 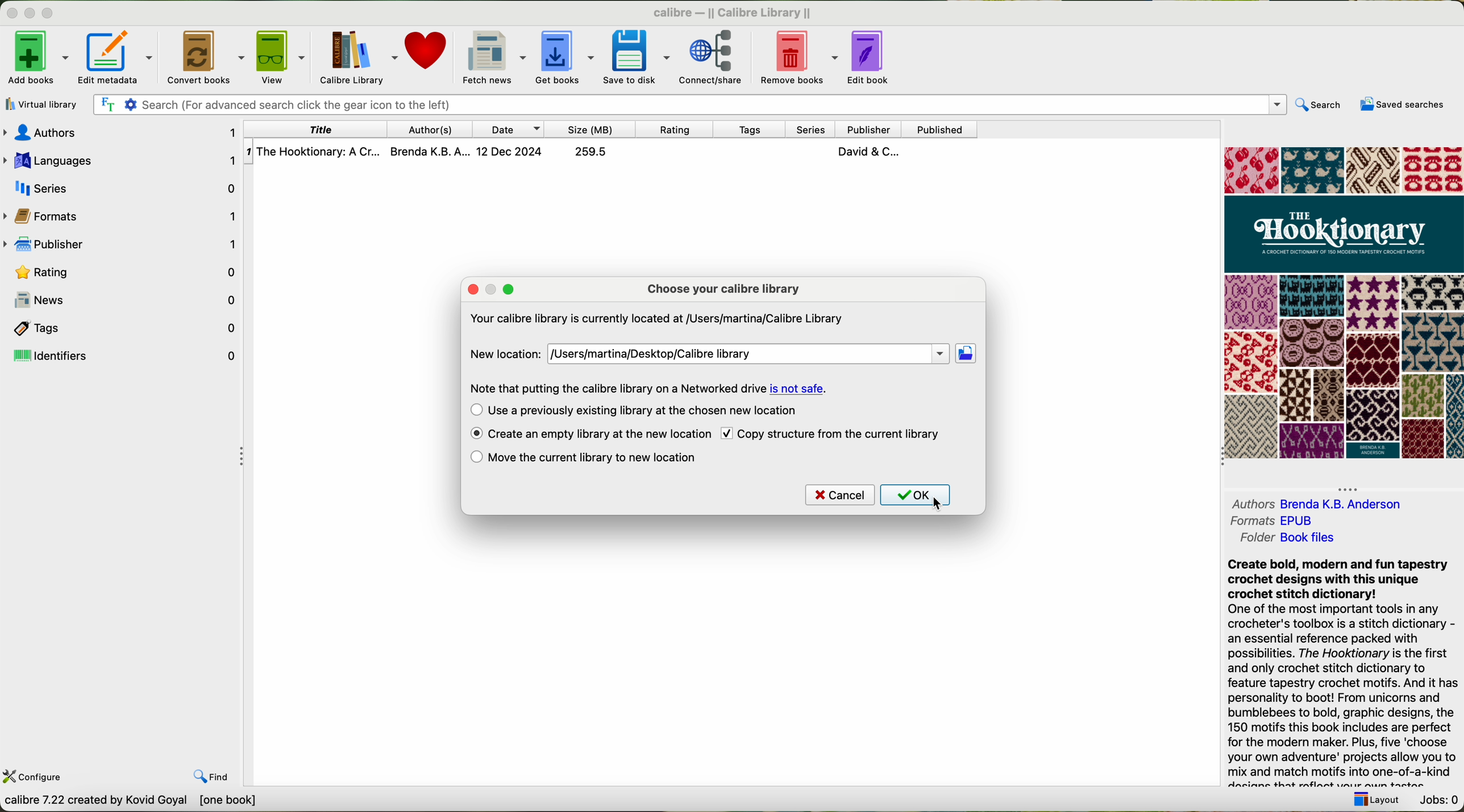 I want to click on checkbox, so click(x=727, y=432).